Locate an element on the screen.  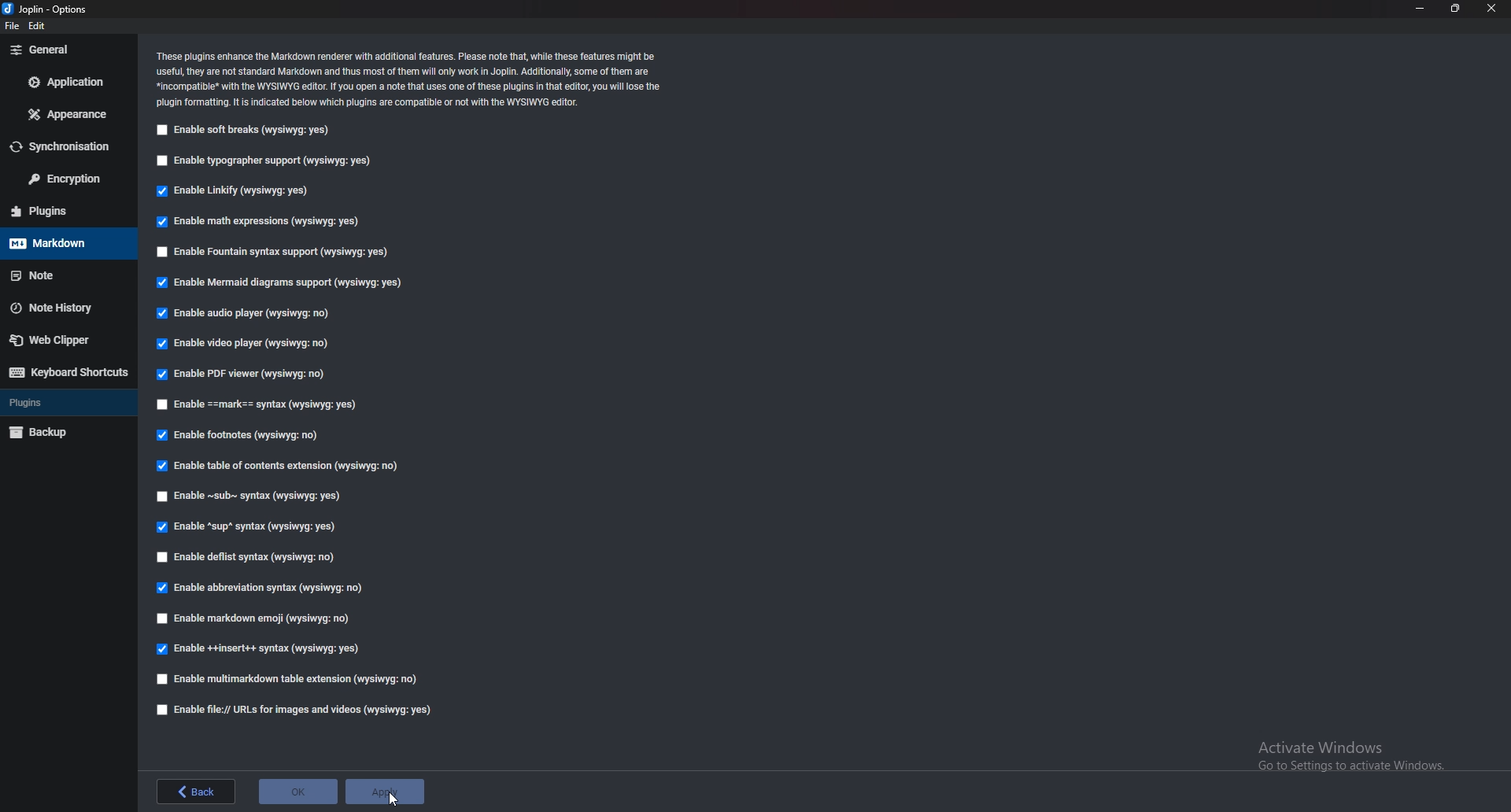
enable video player is located at coordinates (245, 344).